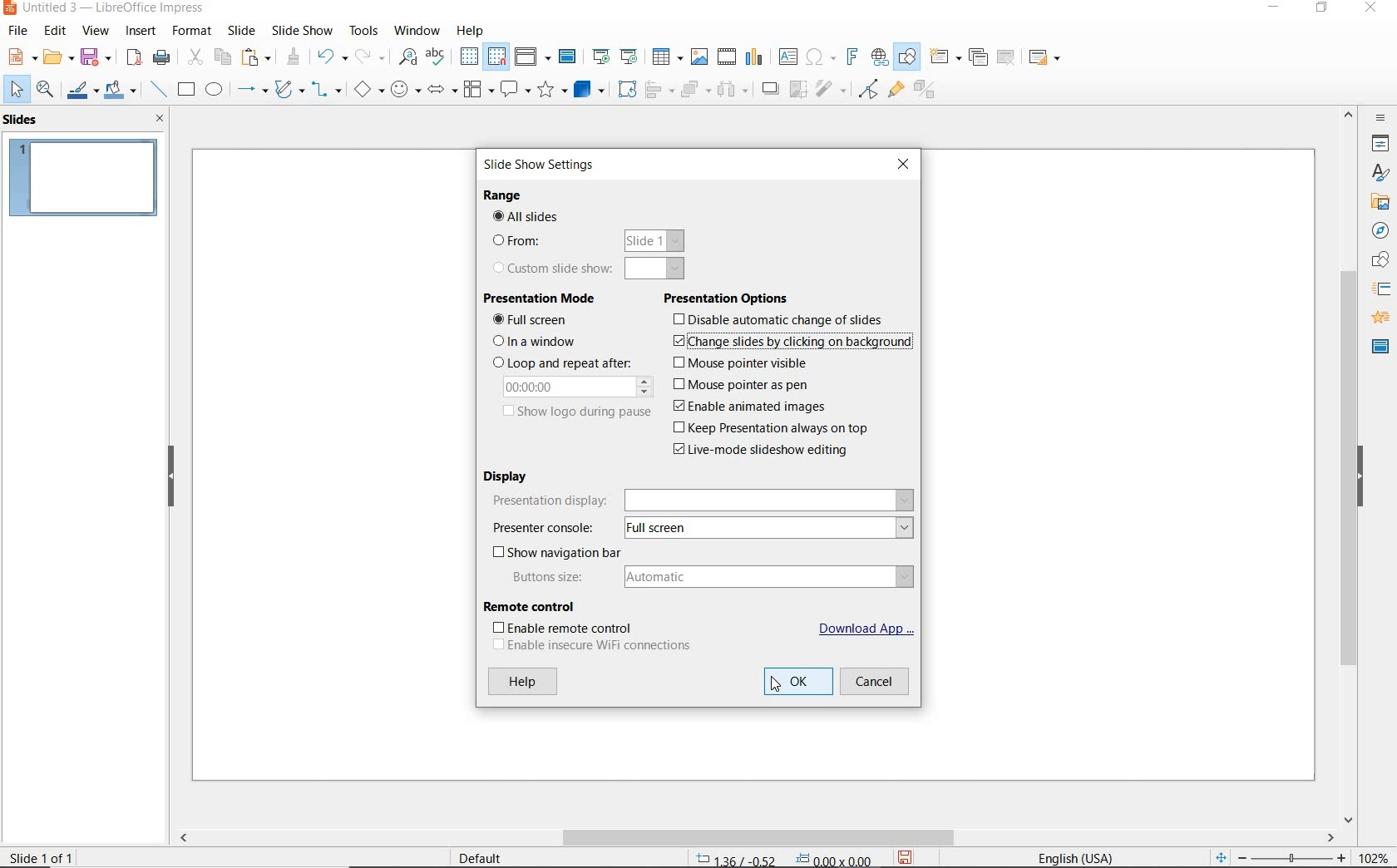 Image resolution: width=1397 pixels, height=868 pixels. What do you see at coordinates (159, 89) in the screenshot?
I see `INSERT LINE` at bounding box center [159, 89].